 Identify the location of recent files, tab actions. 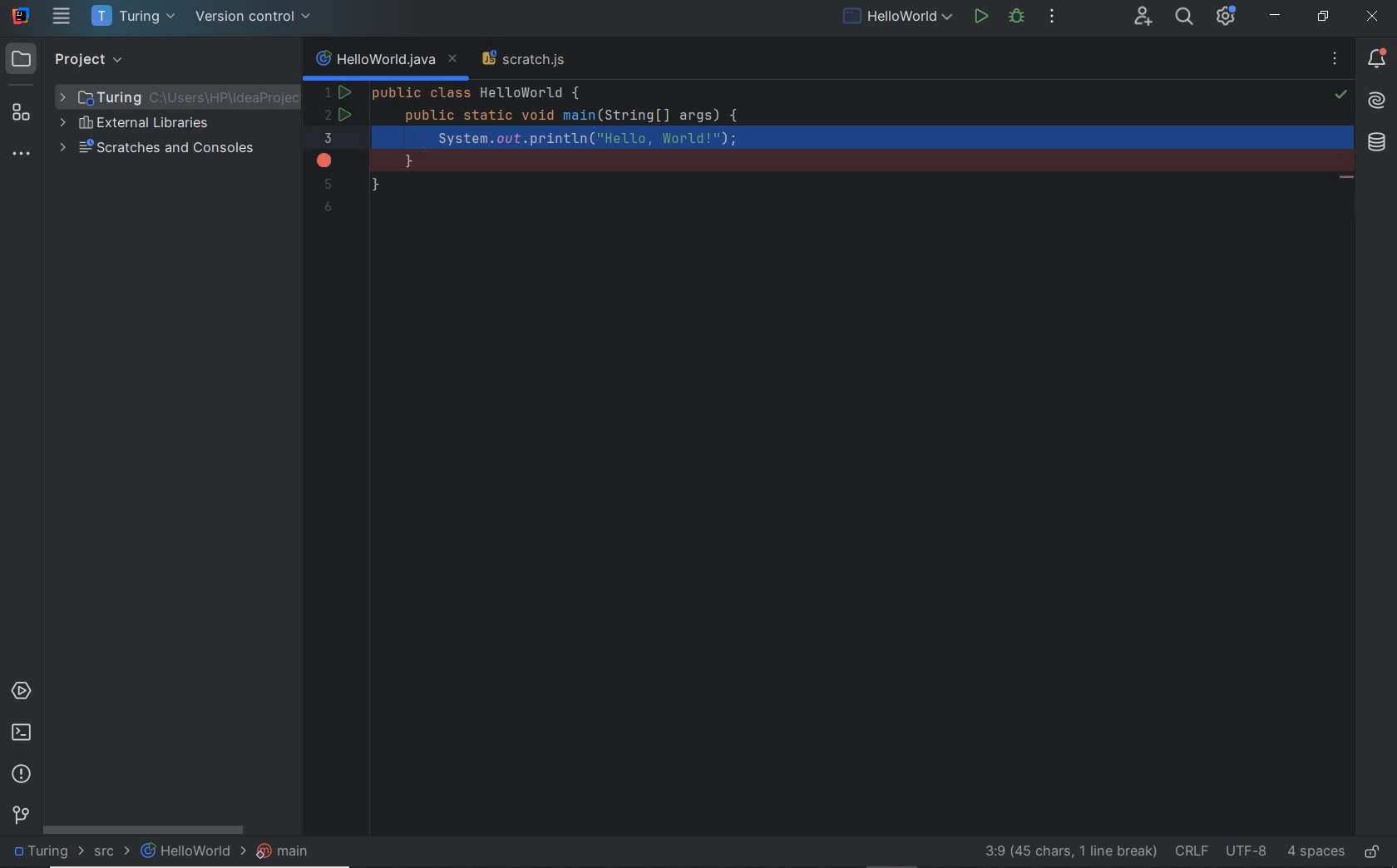
(1335, 61).